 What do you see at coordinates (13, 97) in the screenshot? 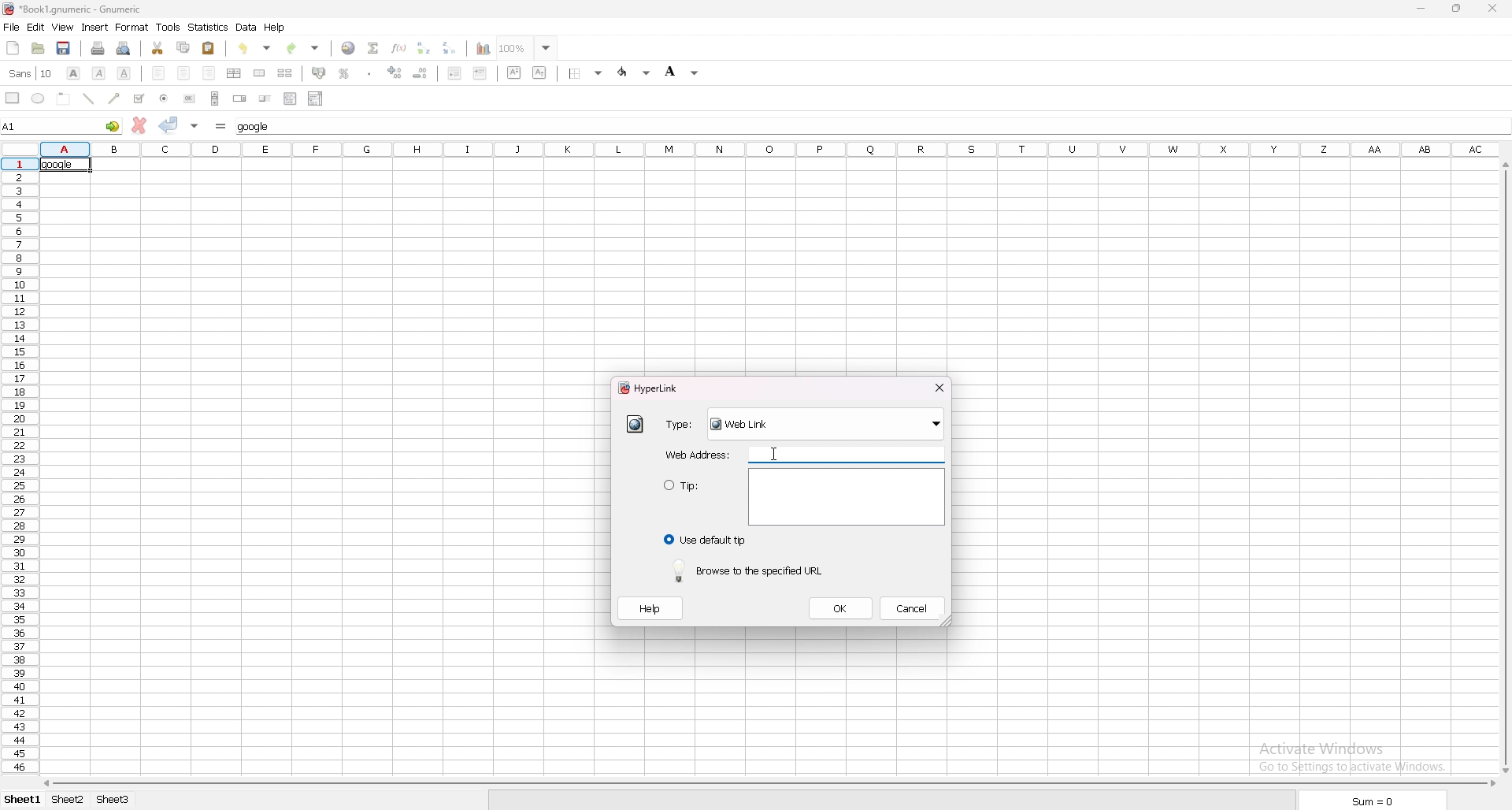
I see `rectangle` at bounding box center [13, 97].